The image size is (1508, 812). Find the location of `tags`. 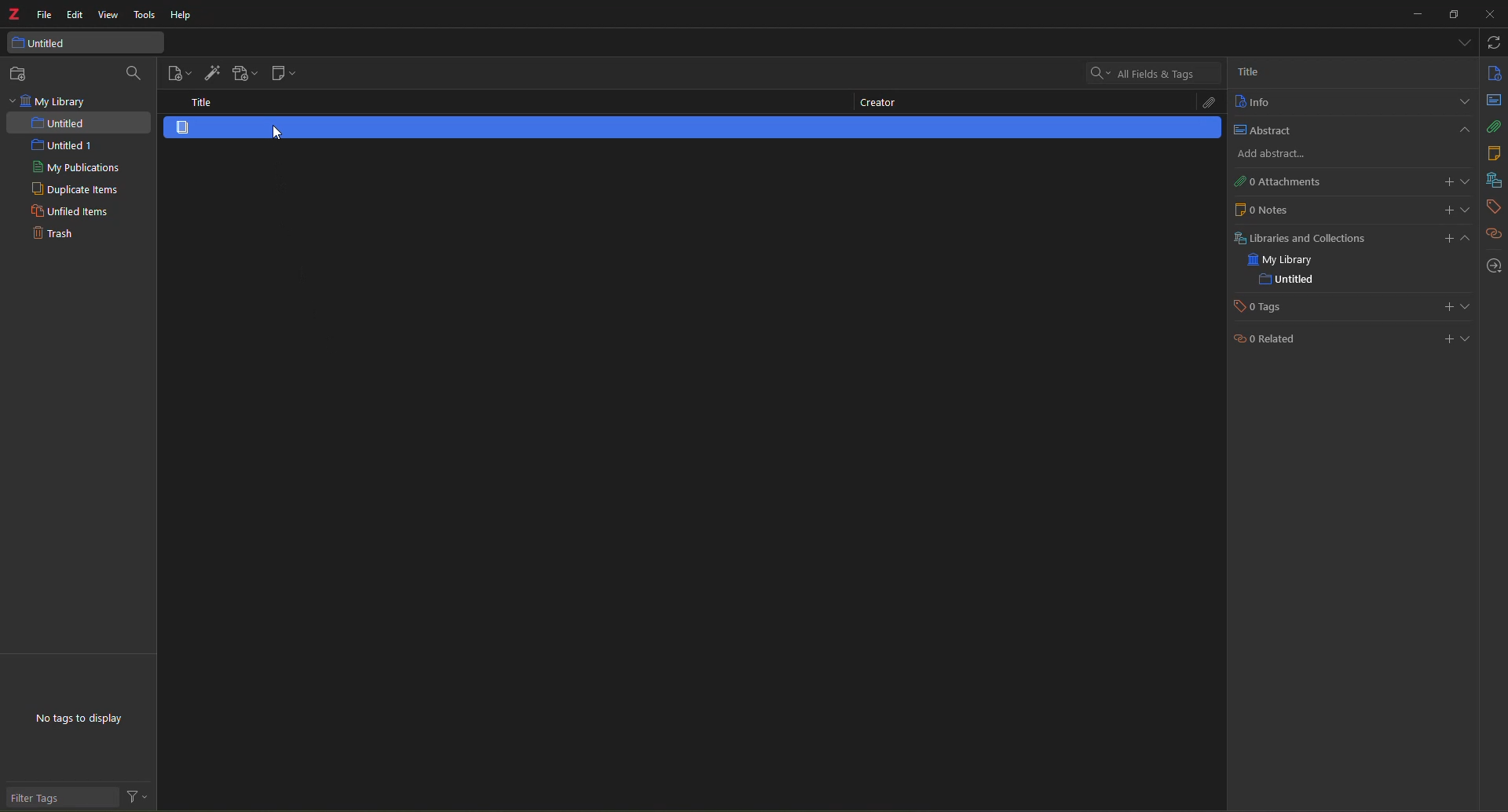

tags is located at coordinates (1492, 207).